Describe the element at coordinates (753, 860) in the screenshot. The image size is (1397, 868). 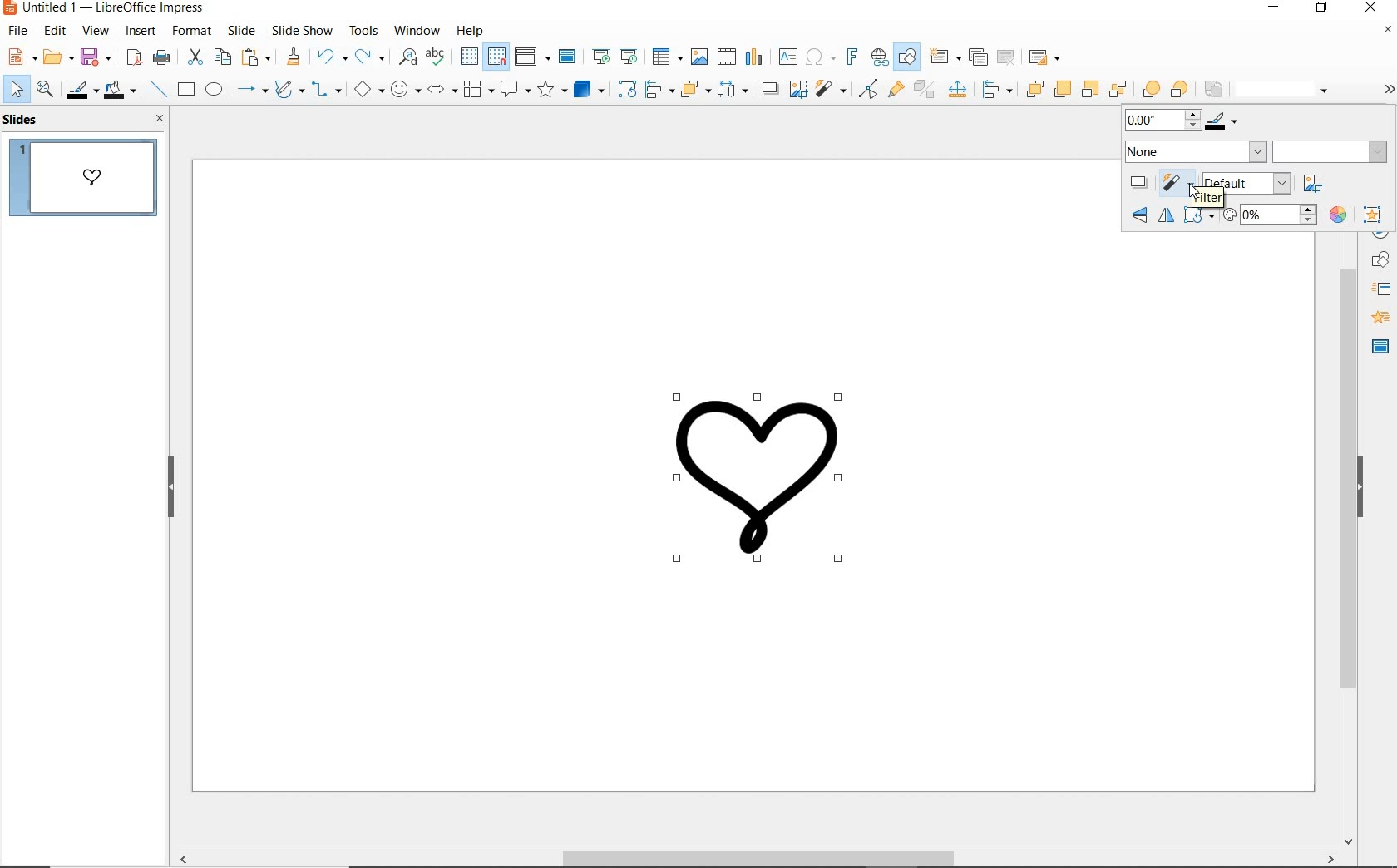
I see `SCROLLBAR` at that location.